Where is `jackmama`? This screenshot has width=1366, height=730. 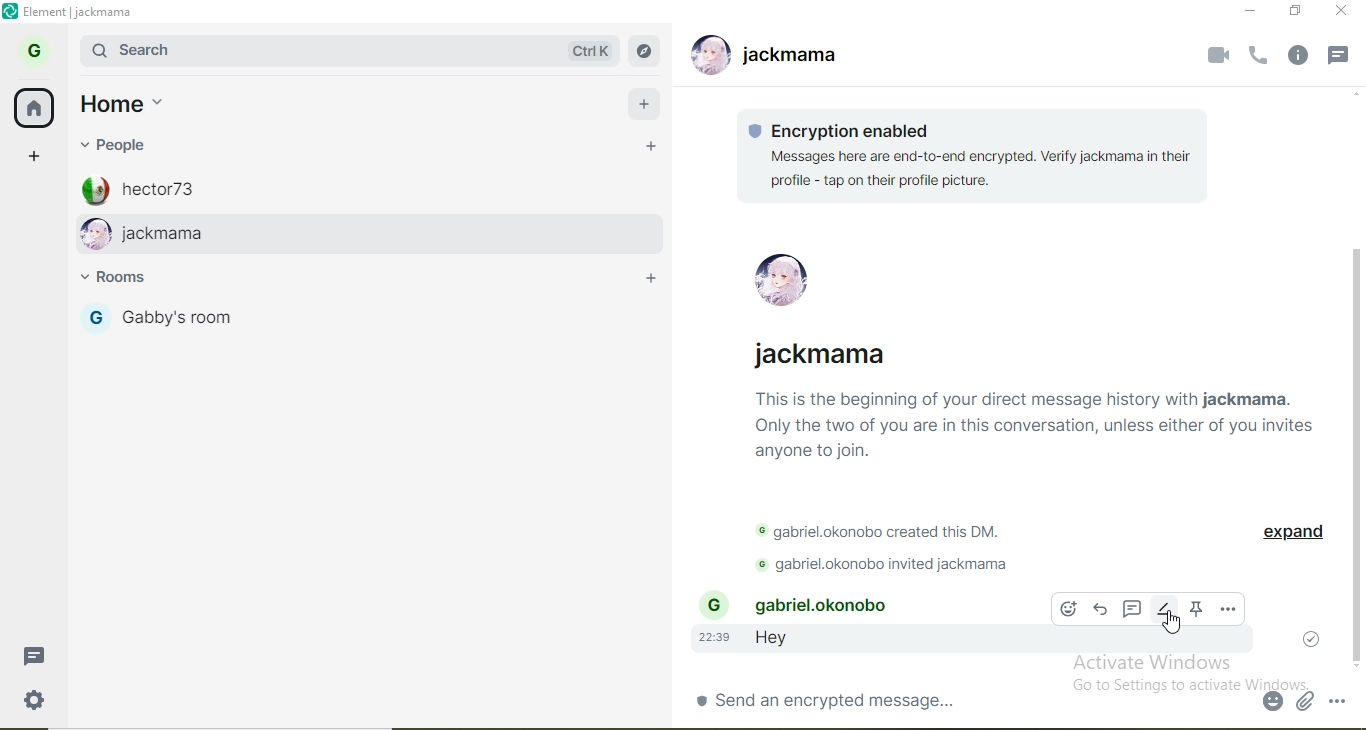
jackmama is located at coordinates (387, 235).